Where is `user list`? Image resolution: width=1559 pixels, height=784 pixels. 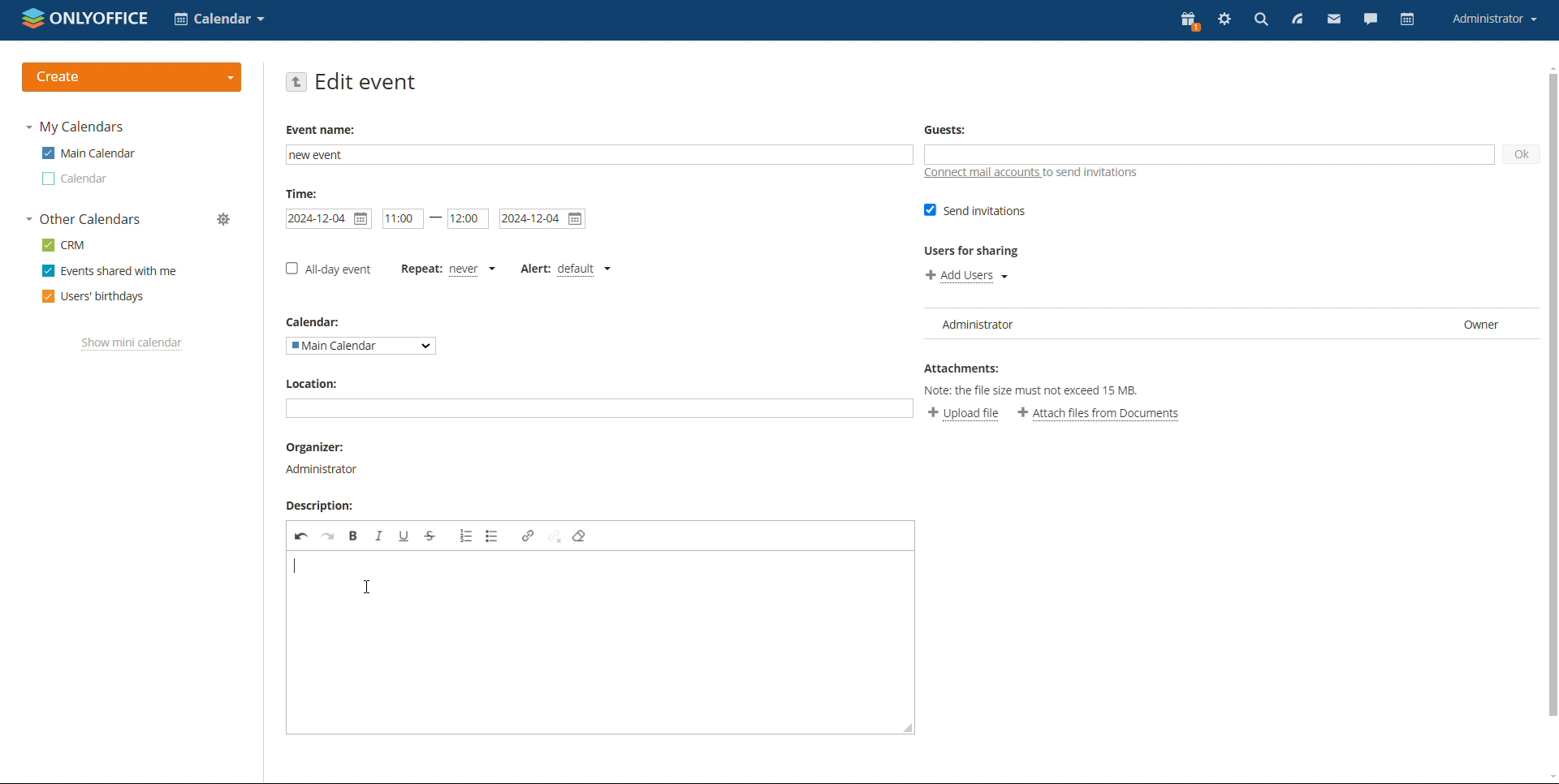
user list is located at coordinates (1226, 323).